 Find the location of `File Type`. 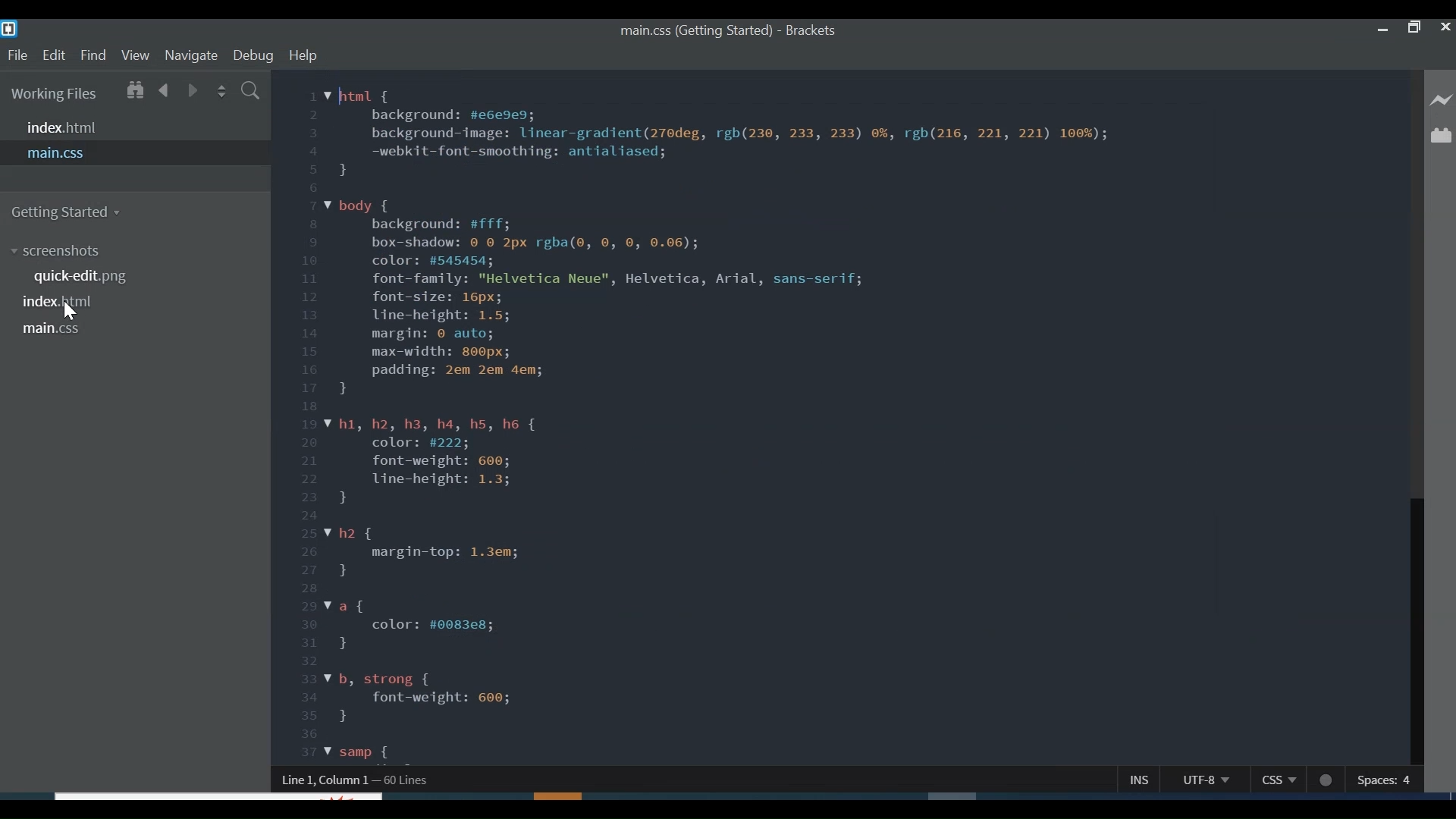

File Type is located at coordinates (1275, 780).